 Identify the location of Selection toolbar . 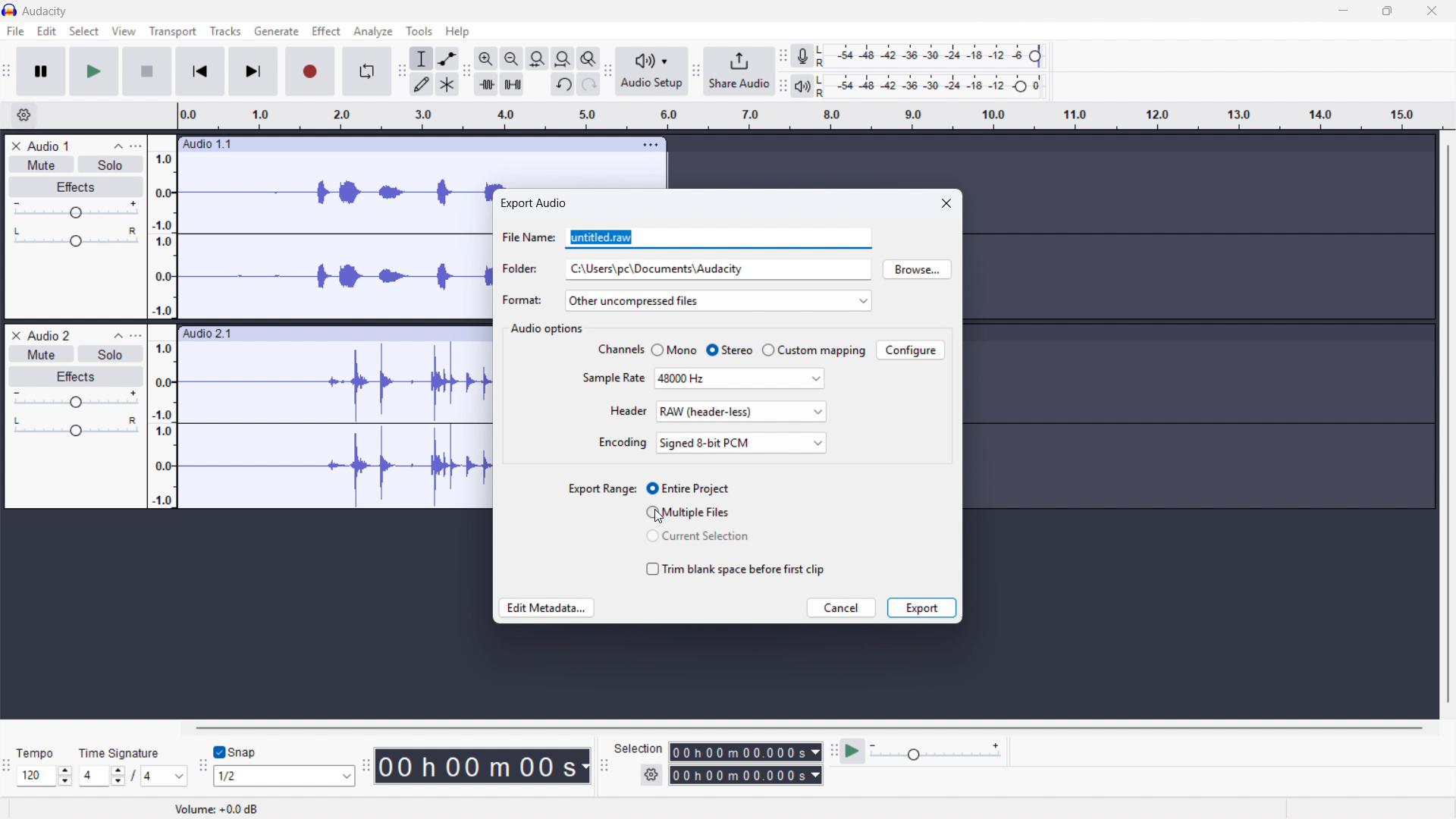
(603, 767).